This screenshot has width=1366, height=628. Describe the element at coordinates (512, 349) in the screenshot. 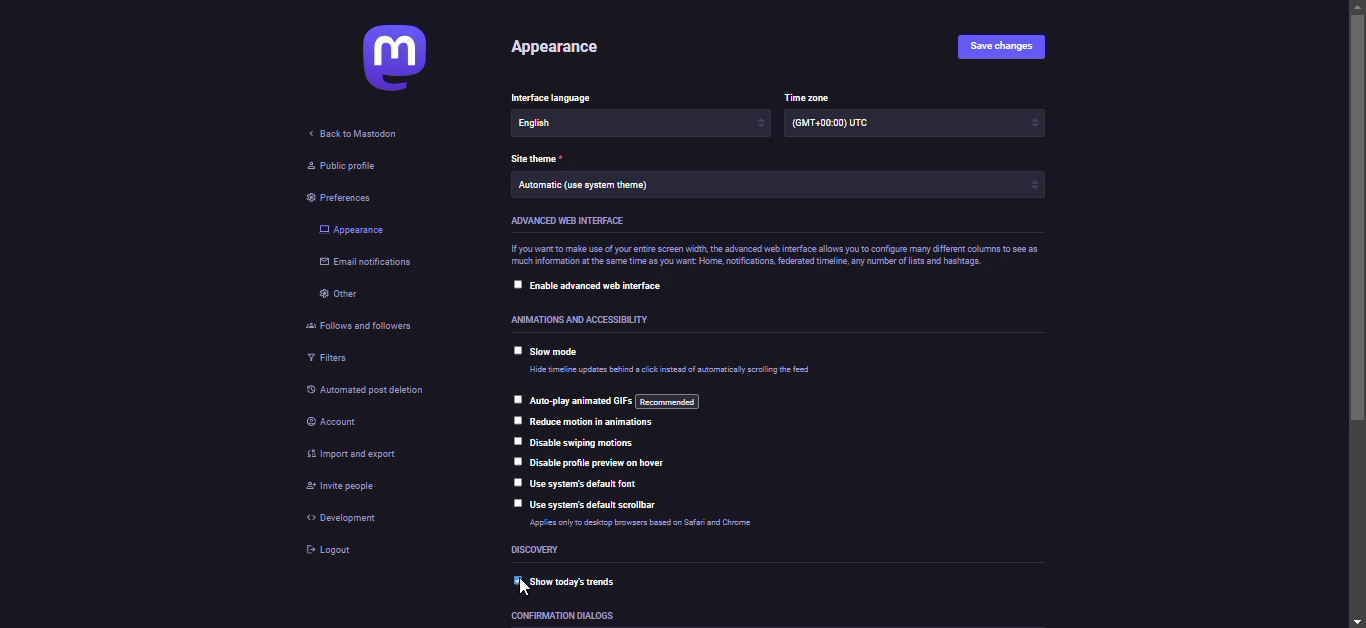

I see `click to select` at that location.